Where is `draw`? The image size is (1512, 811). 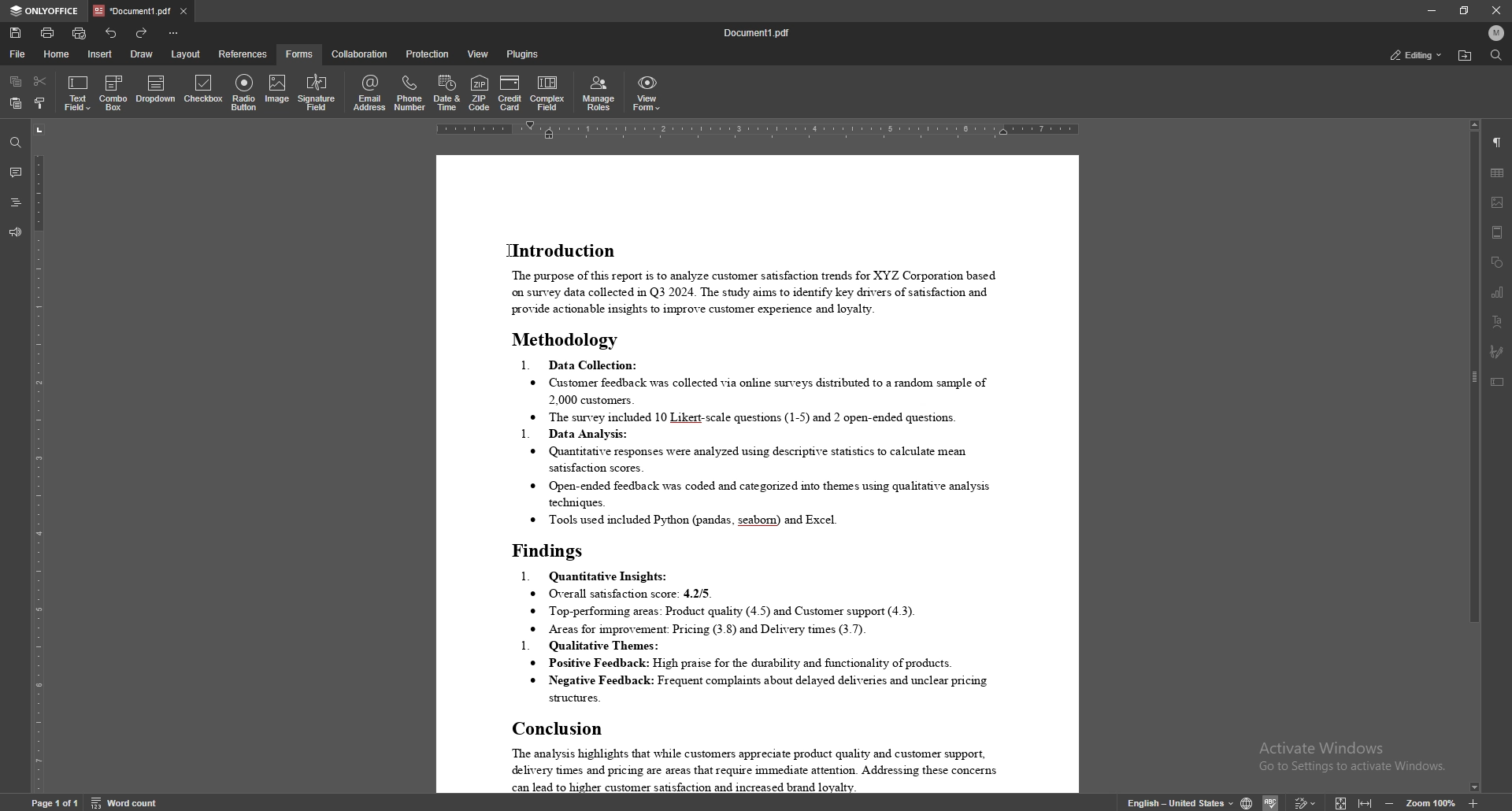
draw is located at coordinates (140, 54).